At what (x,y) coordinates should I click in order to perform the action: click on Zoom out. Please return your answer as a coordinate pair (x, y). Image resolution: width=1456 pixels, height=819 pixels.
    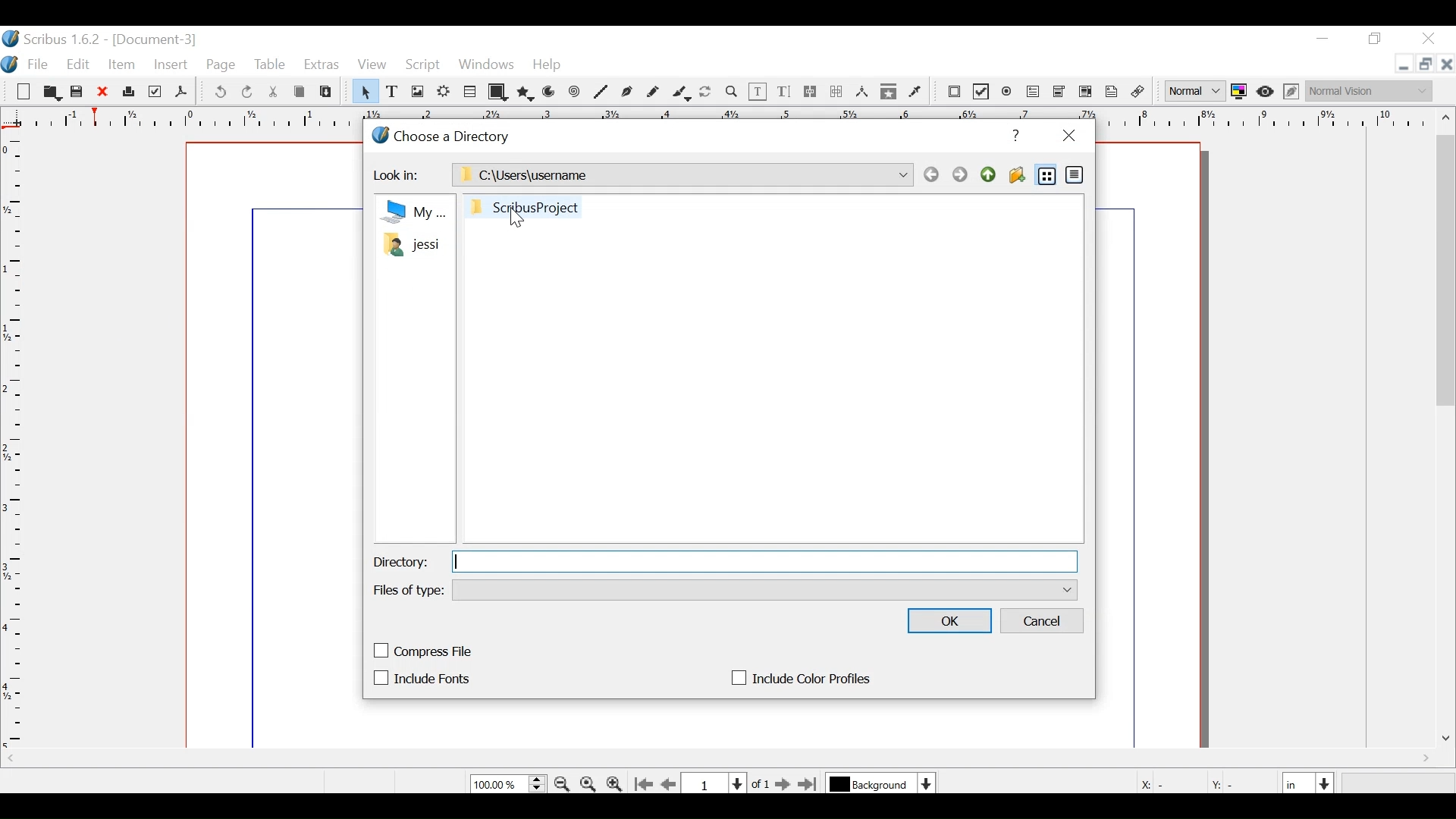
    Looking at the image, I should click on (563, 783).